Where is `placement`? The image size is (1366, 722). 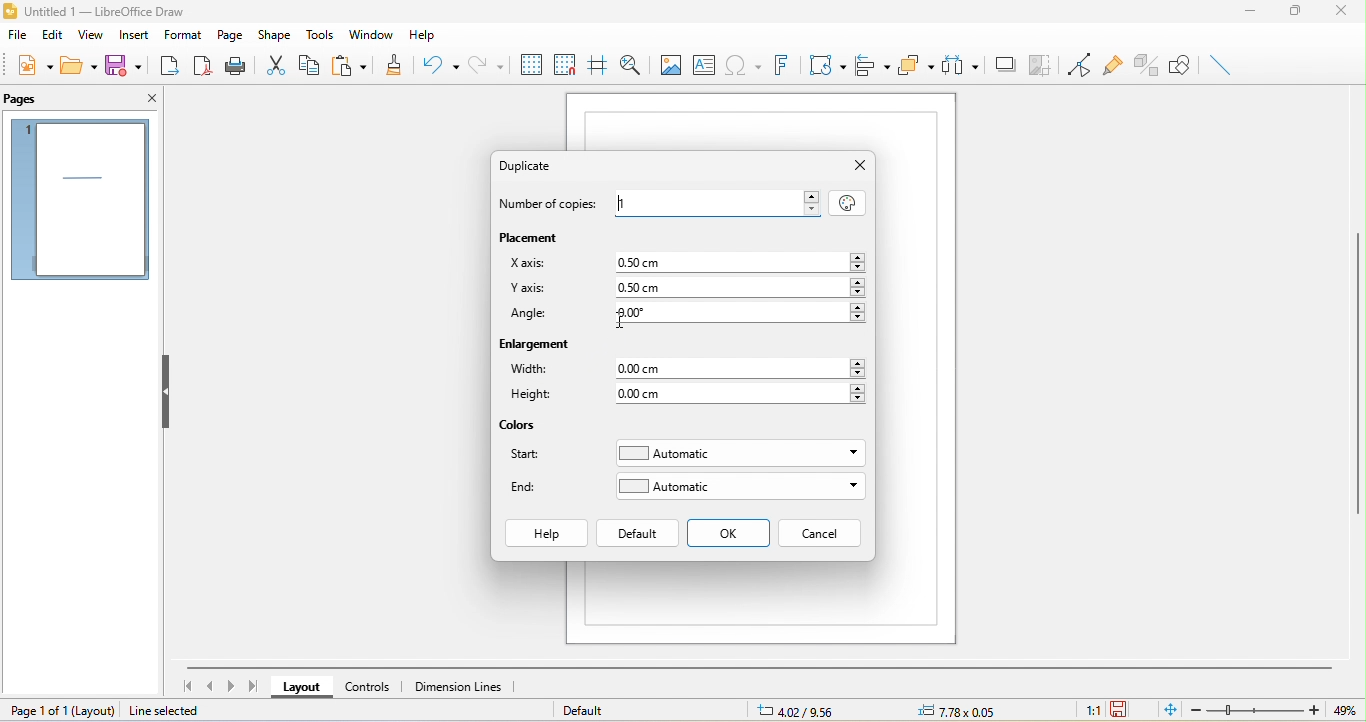
placement is located at coordinates (536, 237).